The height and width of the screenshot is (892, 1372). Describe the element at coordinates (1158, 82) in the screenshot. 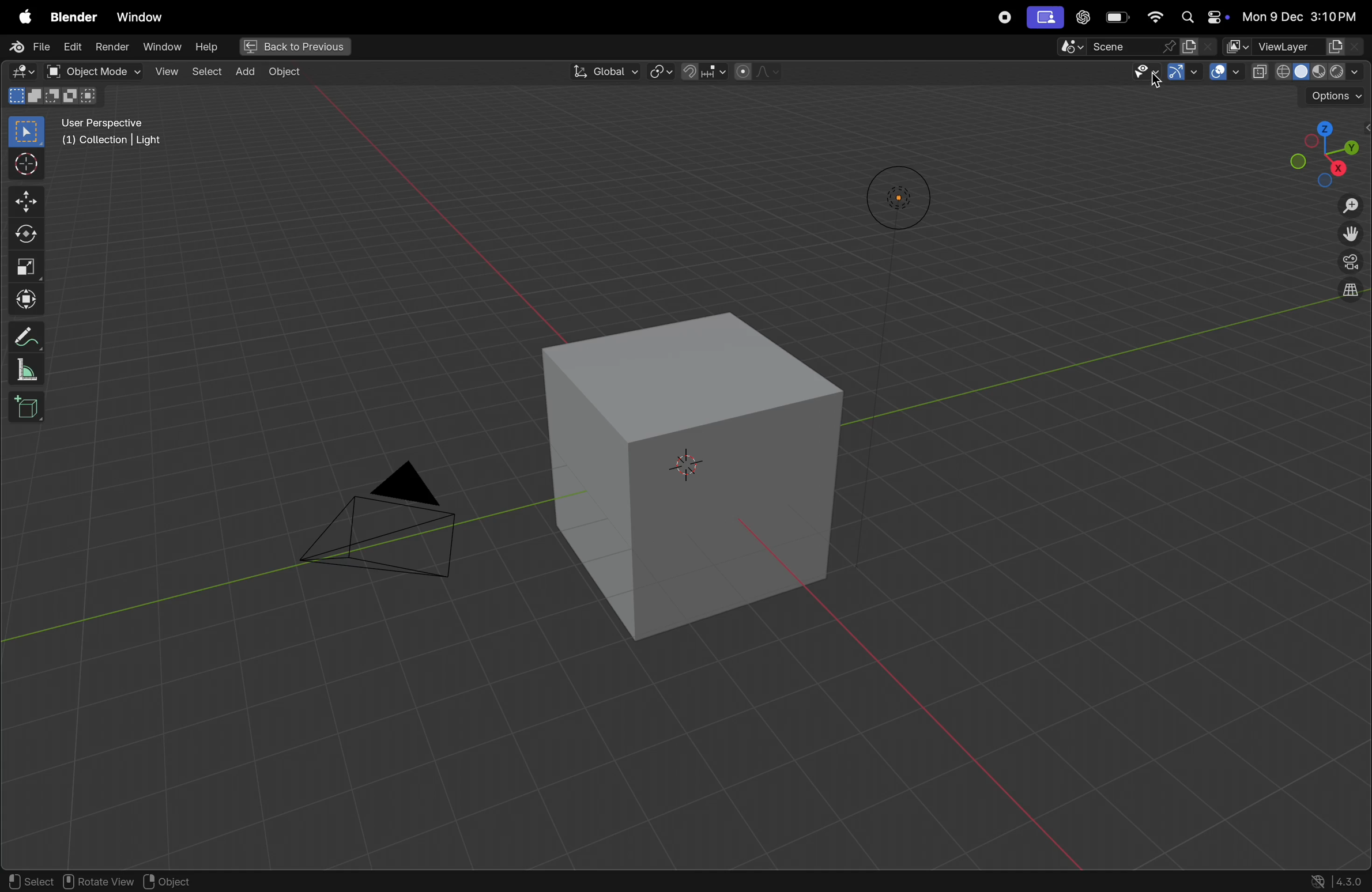

I see `cursor` at that location.